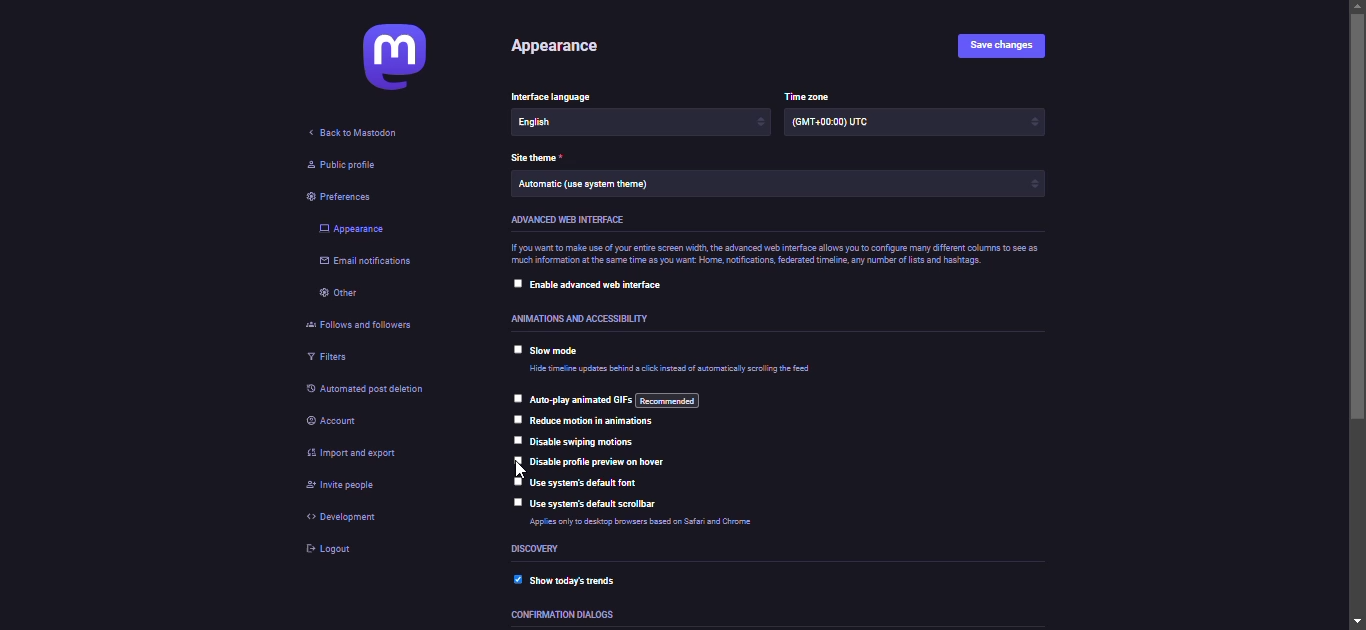  What do you see at coordinates (518, 420) in the screenshot?
I see `click to select` at bounding box center [518, 420].